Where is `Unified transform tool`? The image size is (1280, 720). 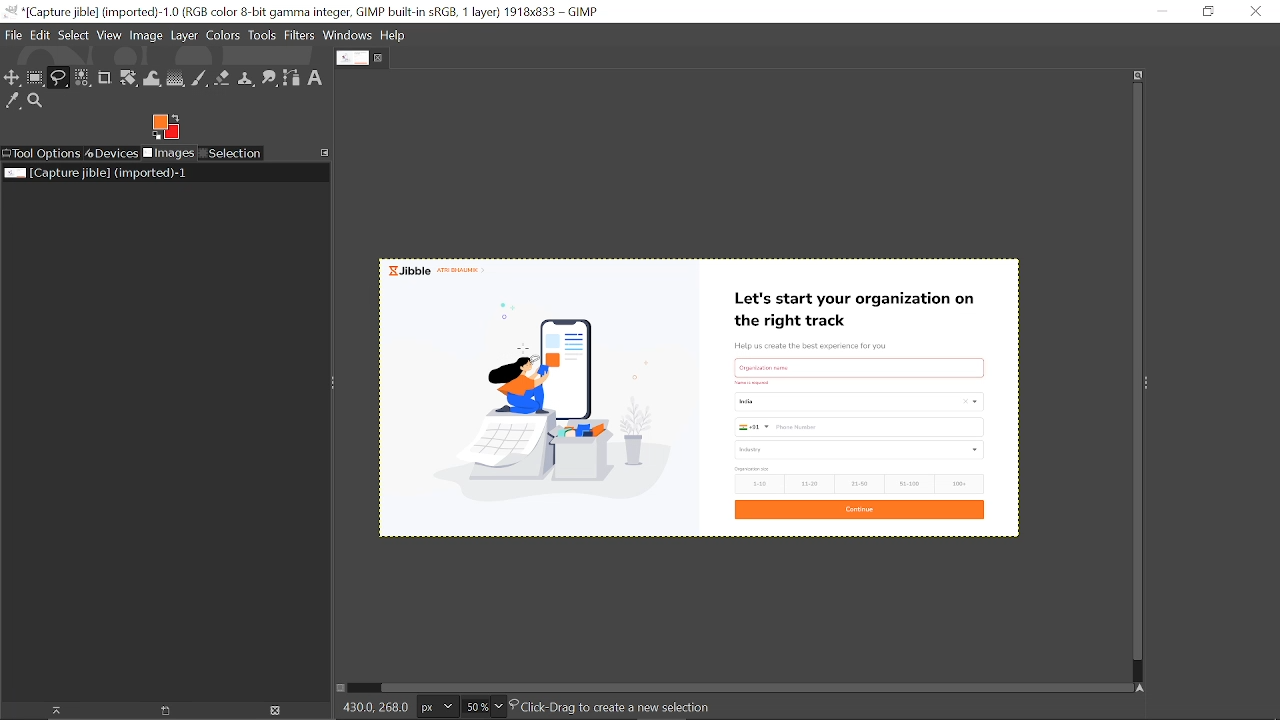 Unified transform tool is located at coordinates (128, 79).